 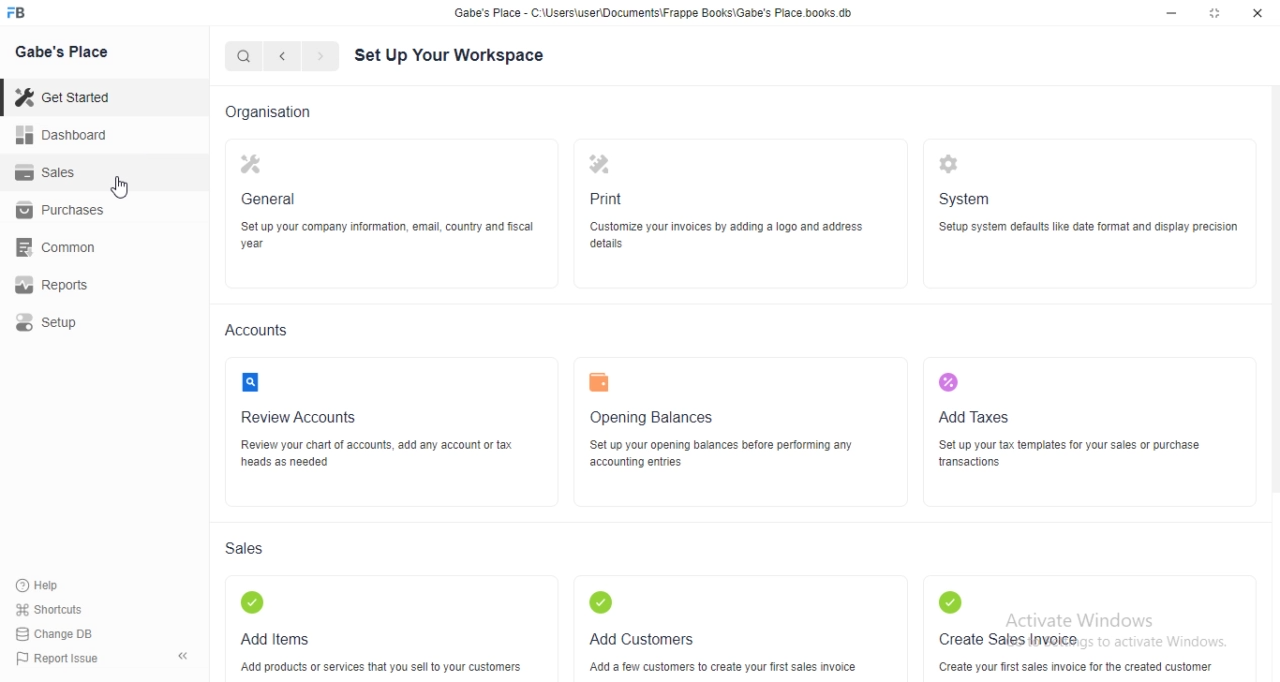 What do you see at coordinates (1163, 15) in the screenshot?
I see `minimize` at bounding box center [1163, 15].